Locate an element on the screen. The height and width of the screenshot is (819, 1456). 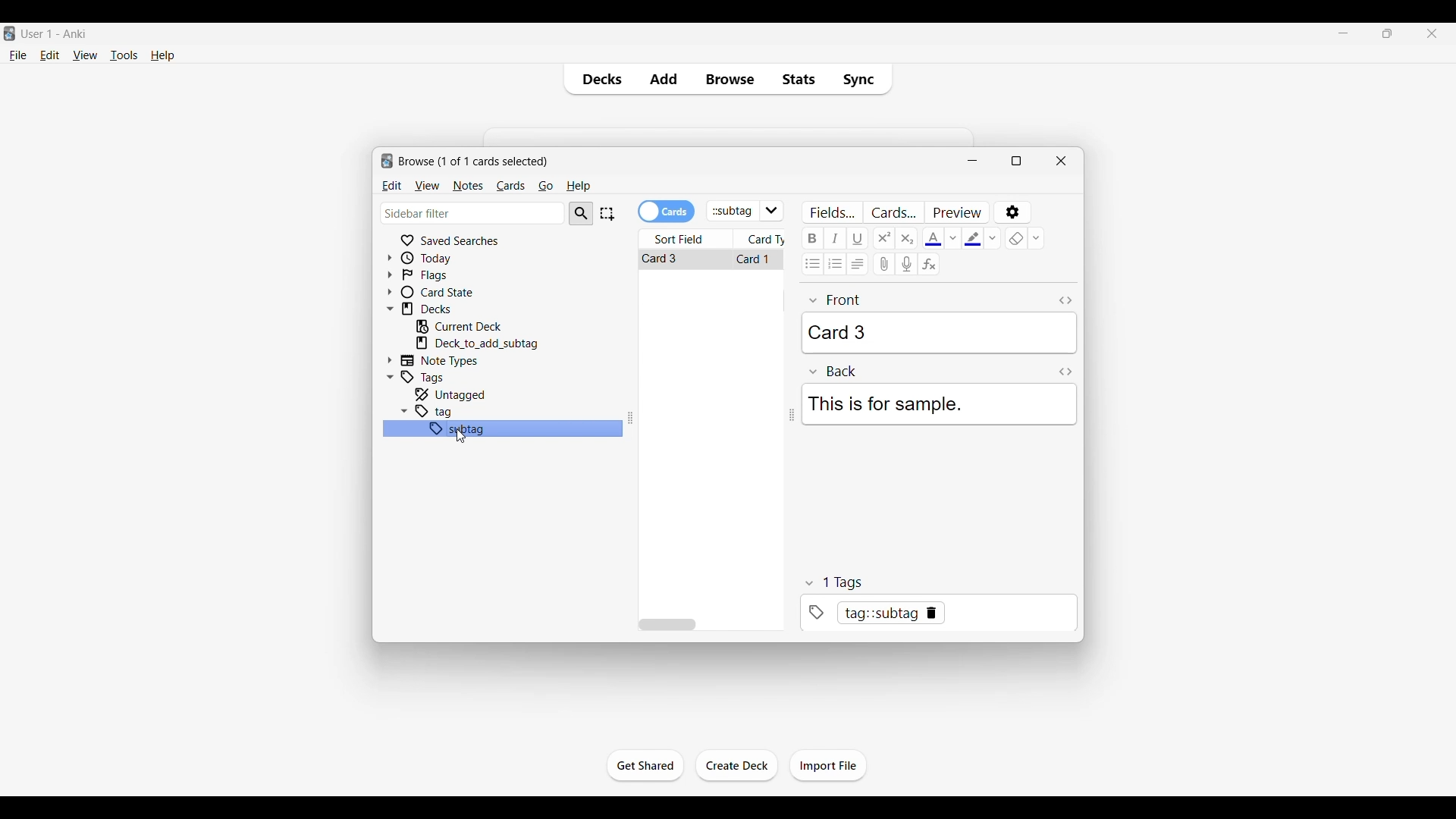
Show interface in a smaller tab is located at coordinates (1387, 33).